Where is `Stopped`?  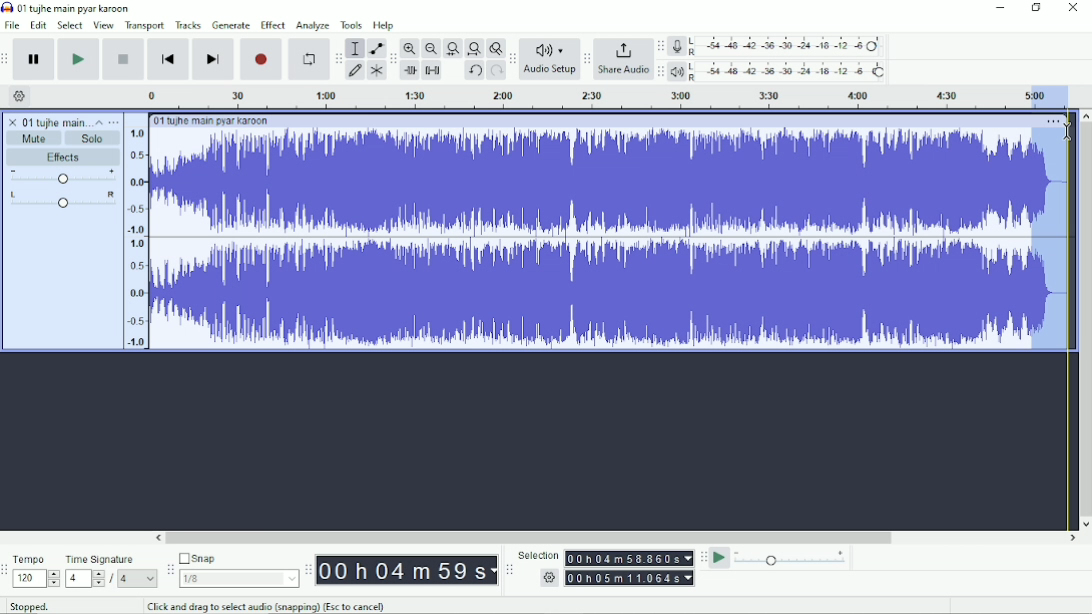
Stopped is located at coordinates (27, 607).